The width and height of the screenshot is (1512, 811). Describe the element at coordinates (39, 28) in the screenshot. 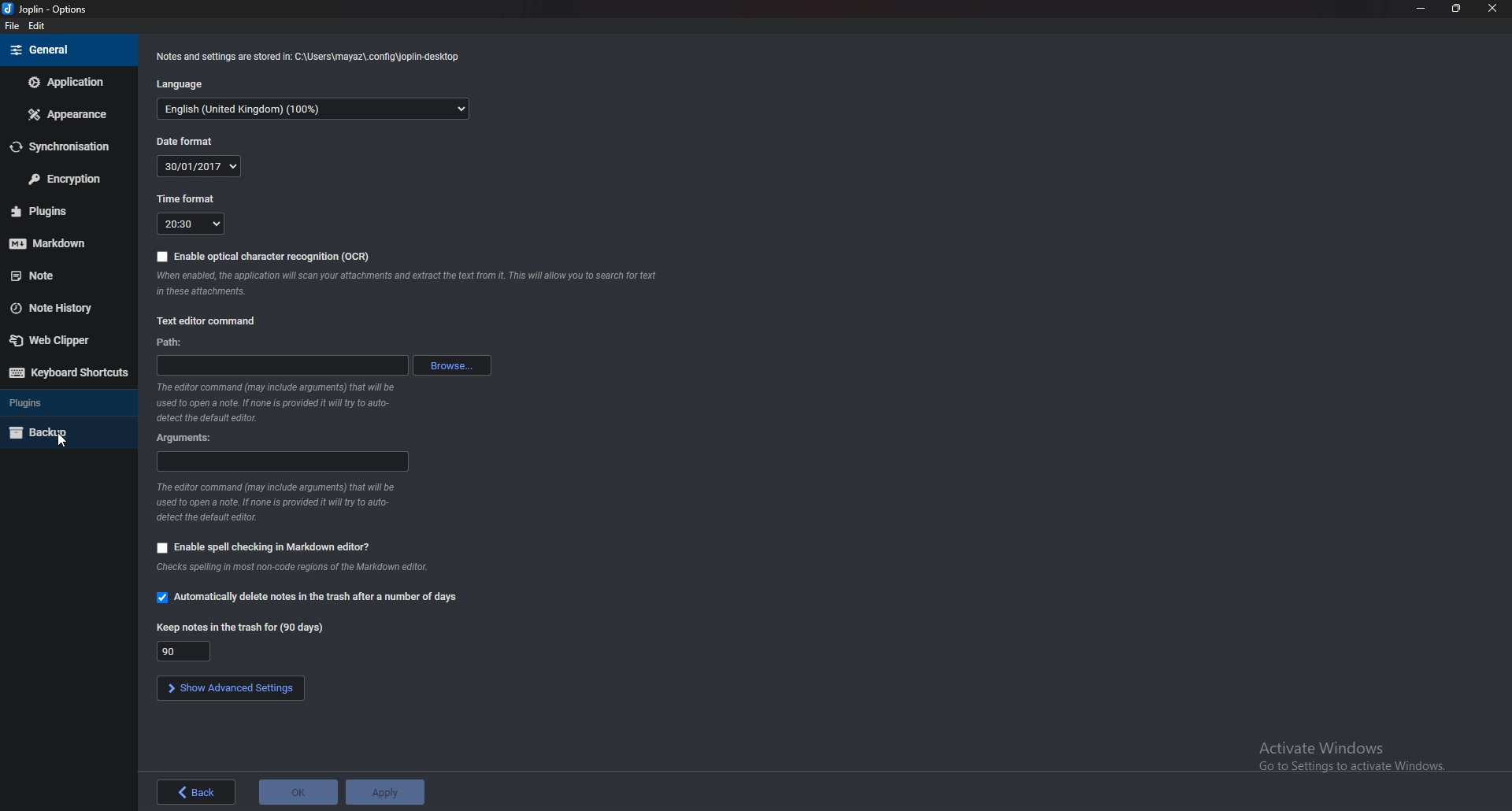

I see `edit` at that location.